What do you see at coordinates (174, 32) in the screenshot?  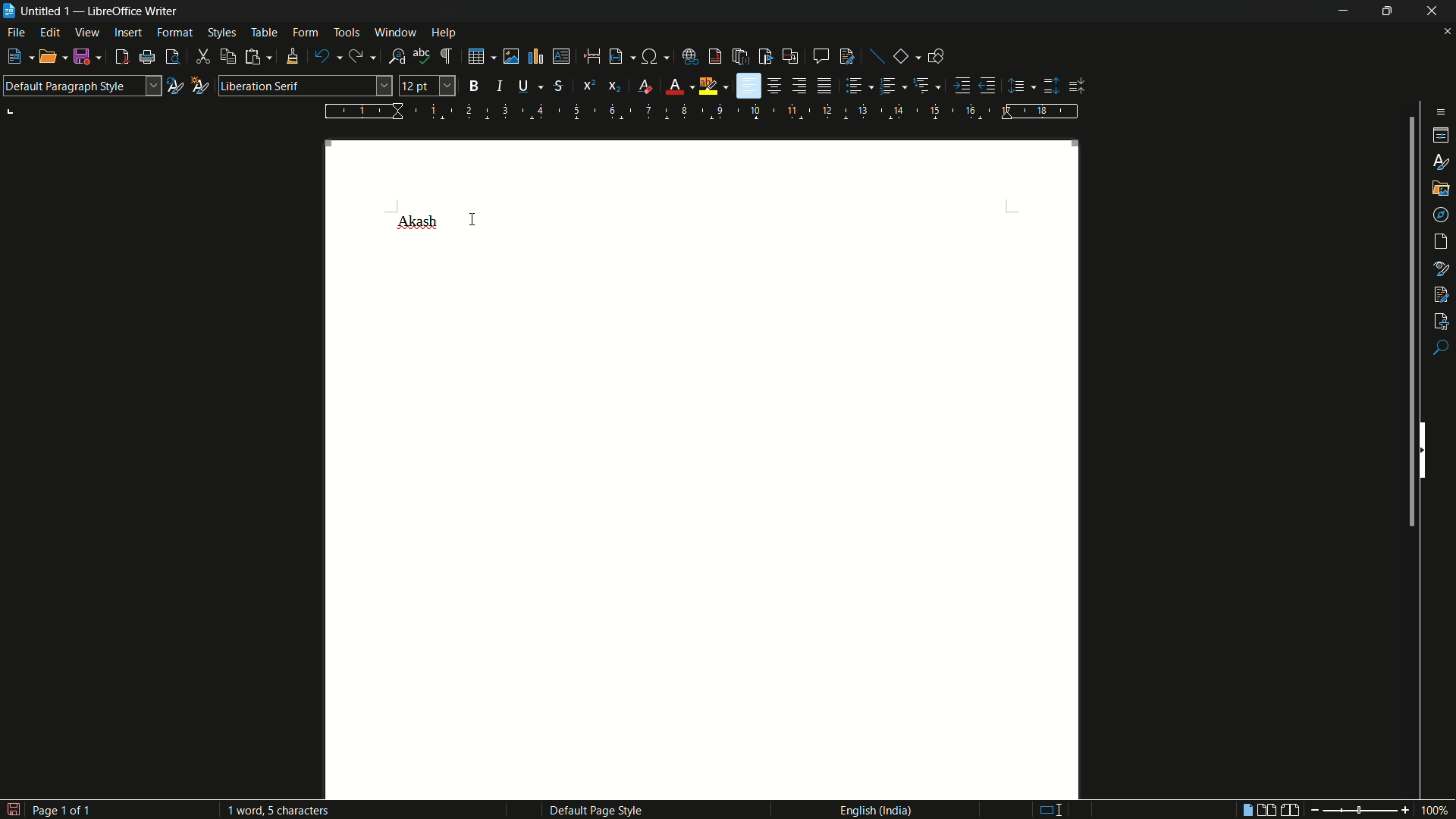 I see `format menu` at bounding box center [174, 32].